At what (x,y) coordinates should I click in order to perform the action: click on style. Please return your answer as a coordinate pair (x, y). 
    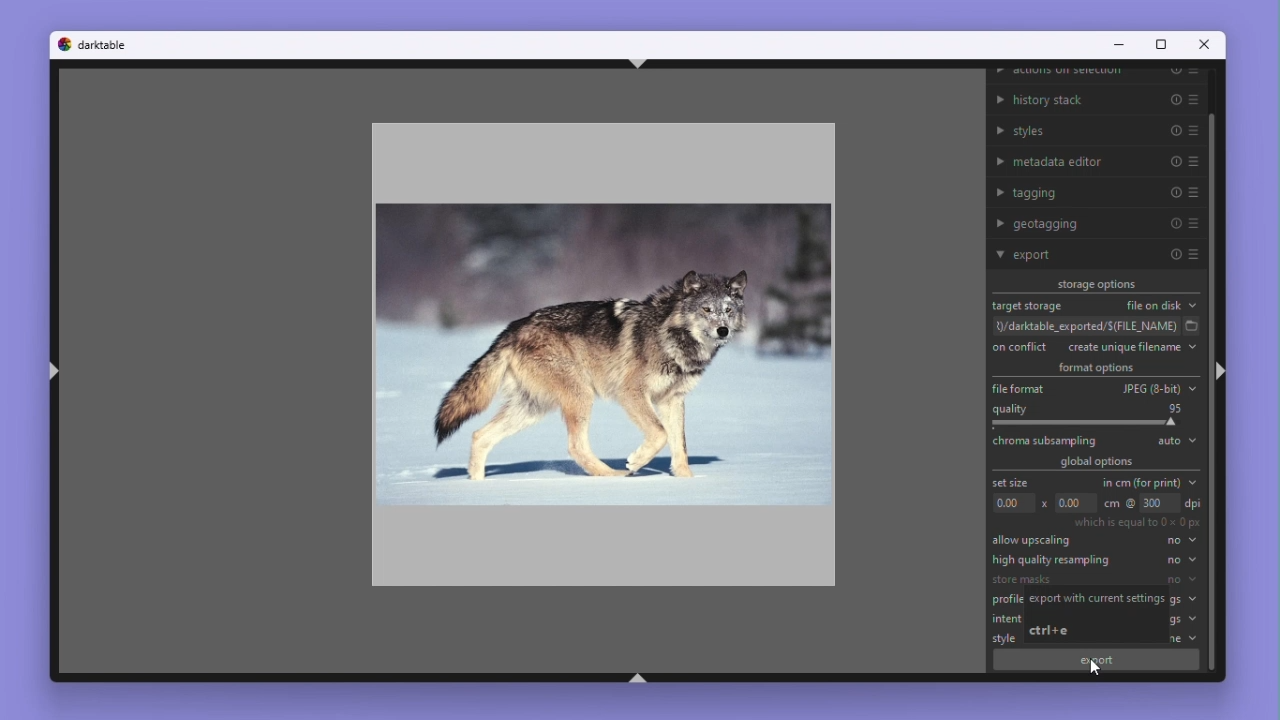
    Looking at the image, I should click on (1003, 638).